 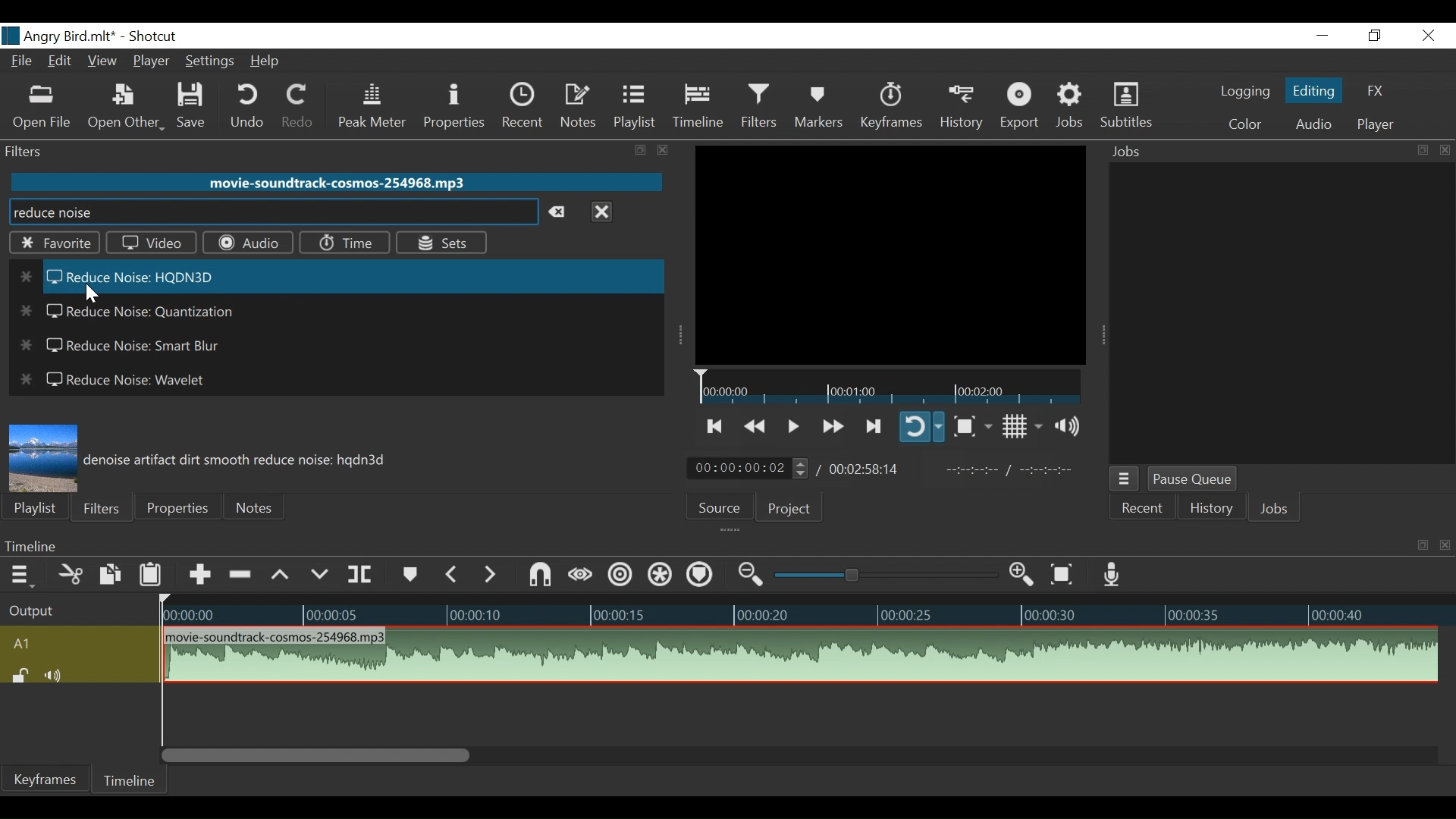 I want to click on (un)lock track, so click(x=20, y=675).